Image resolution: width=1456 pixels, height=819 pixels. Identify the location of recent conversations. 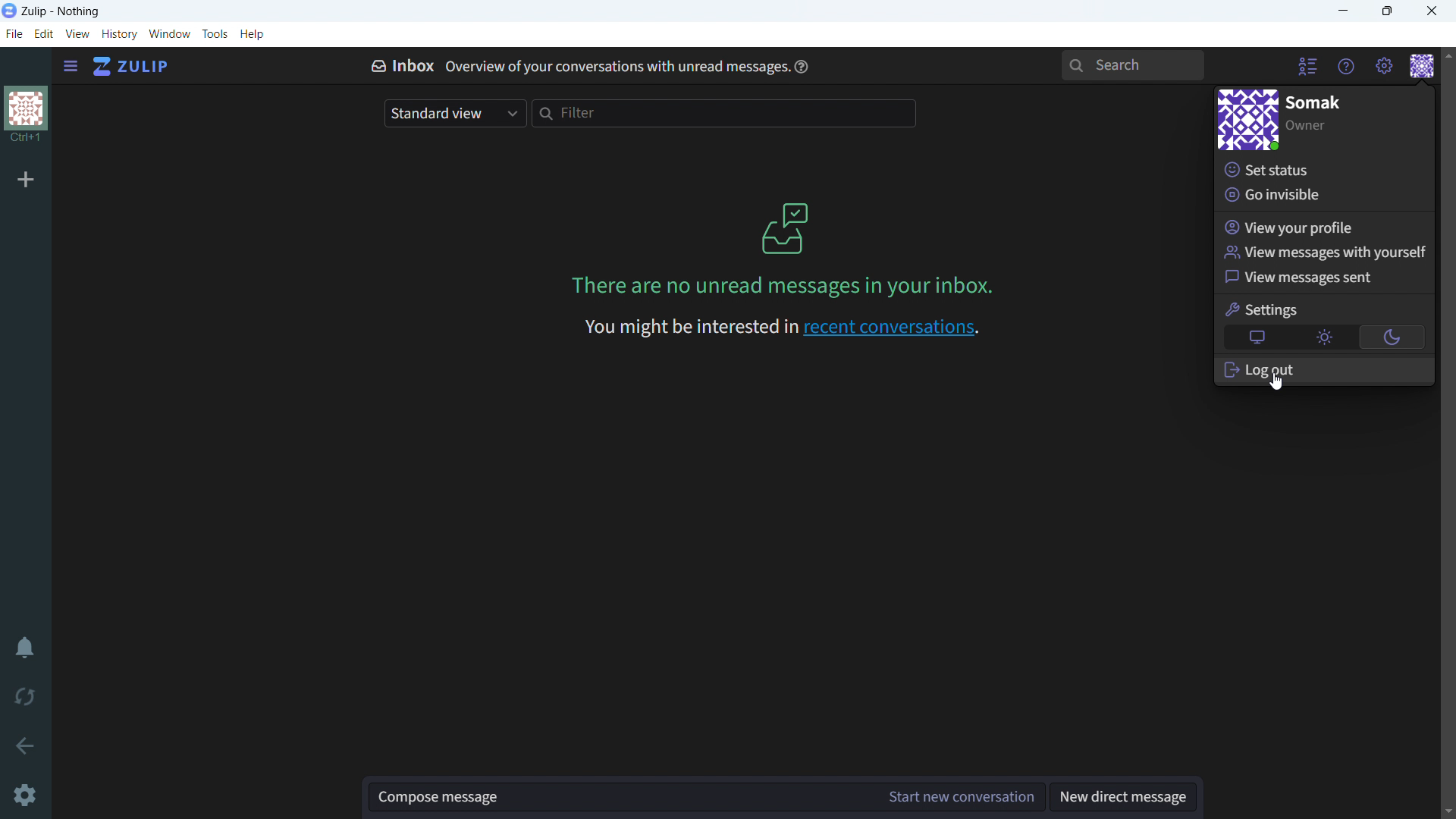
(778, 328).